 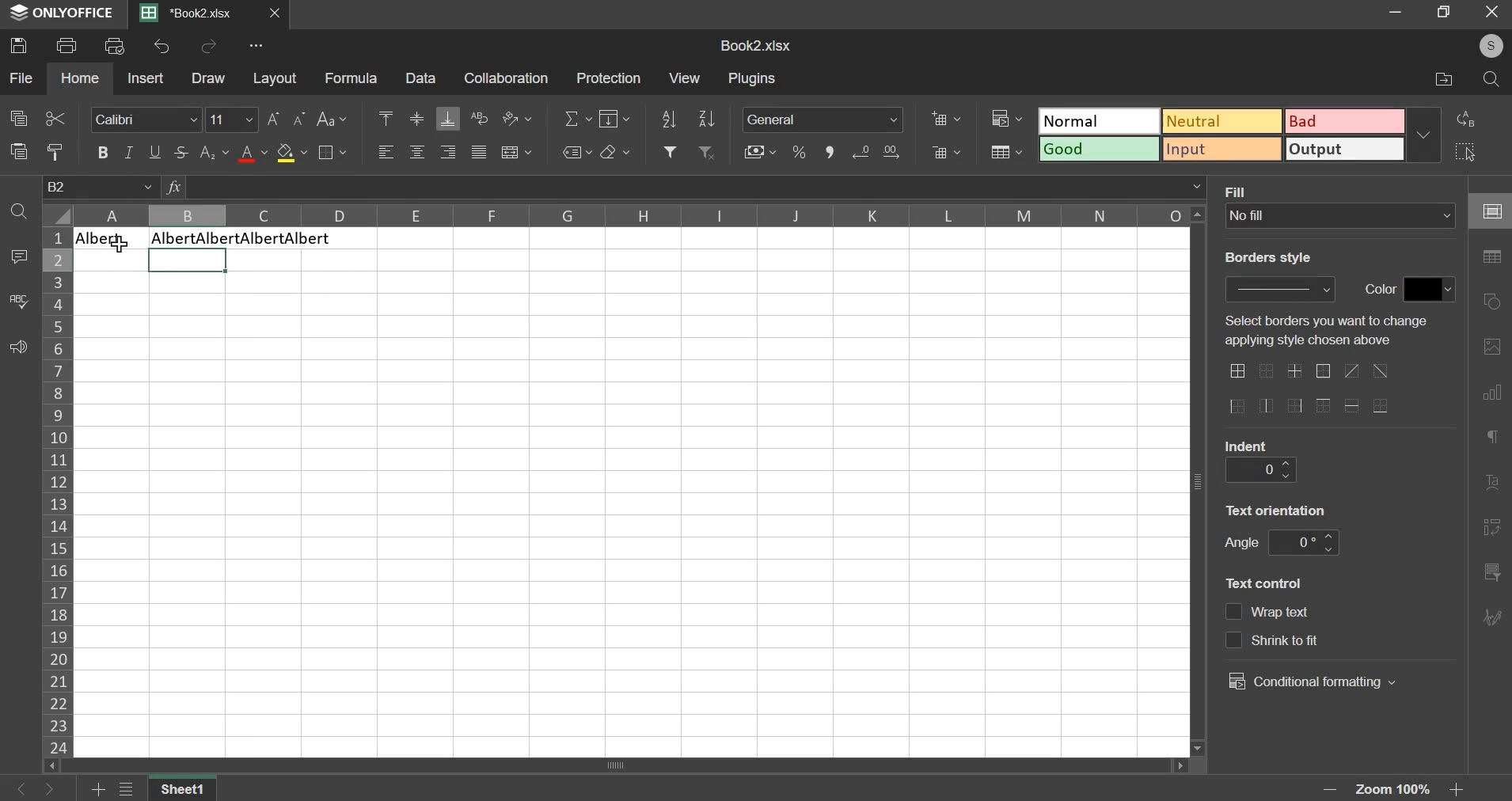 I want to click on paste, so click(x=18, y=150).